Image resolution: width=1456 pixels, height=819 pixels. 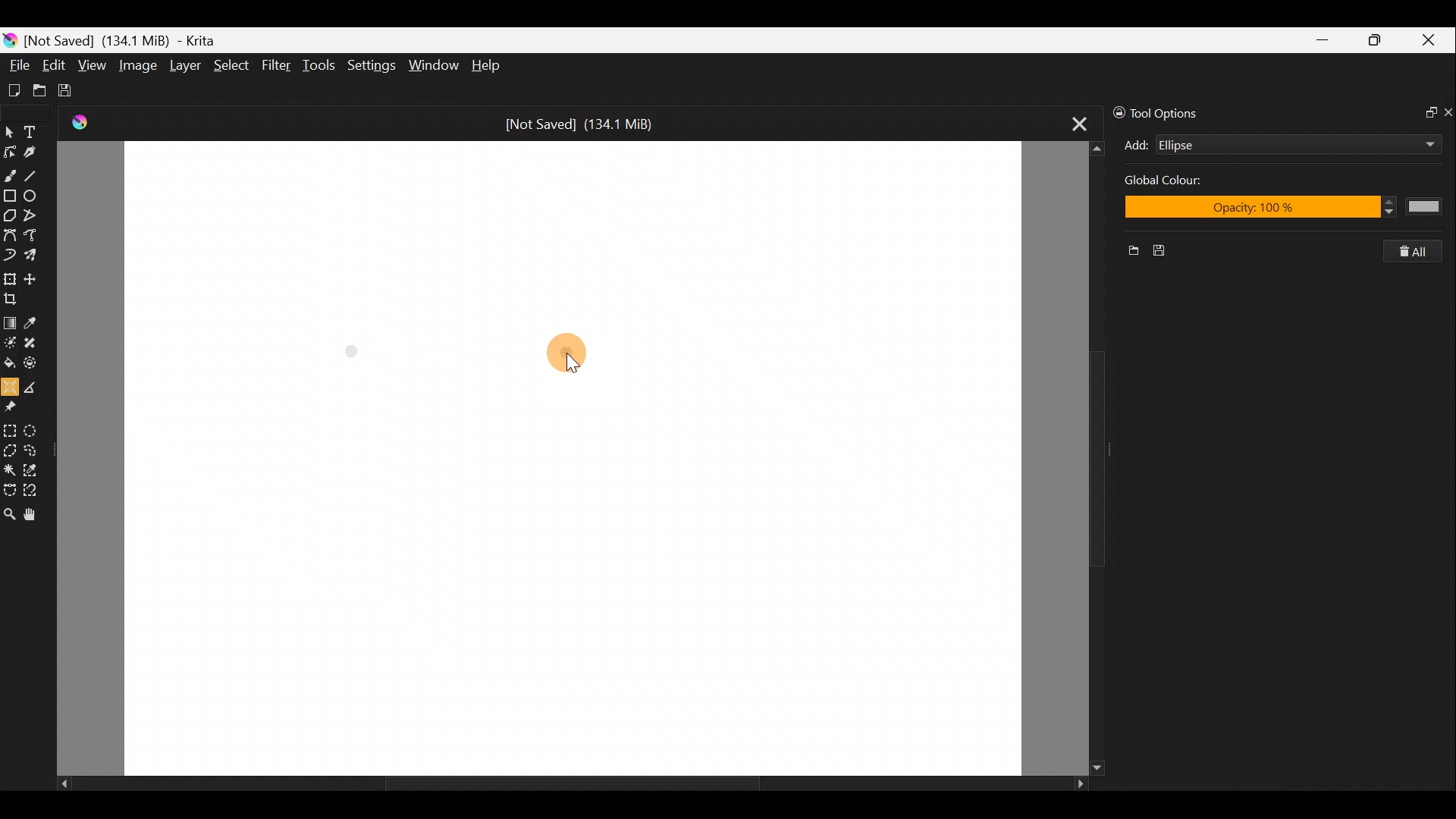 I want to click on Scroll bar, so click(x=560, y=784).